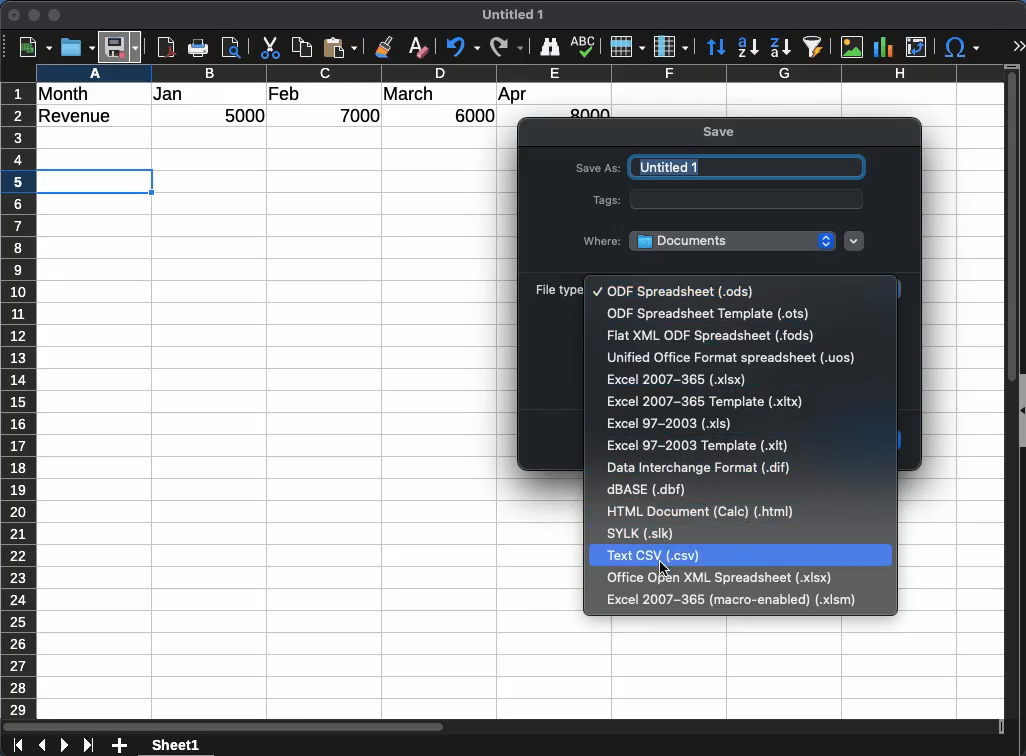 This screenshot has height=756, width=1026. Describe the element at coordinates (233, 49) in the screenshot. I see `print preview` at that location.